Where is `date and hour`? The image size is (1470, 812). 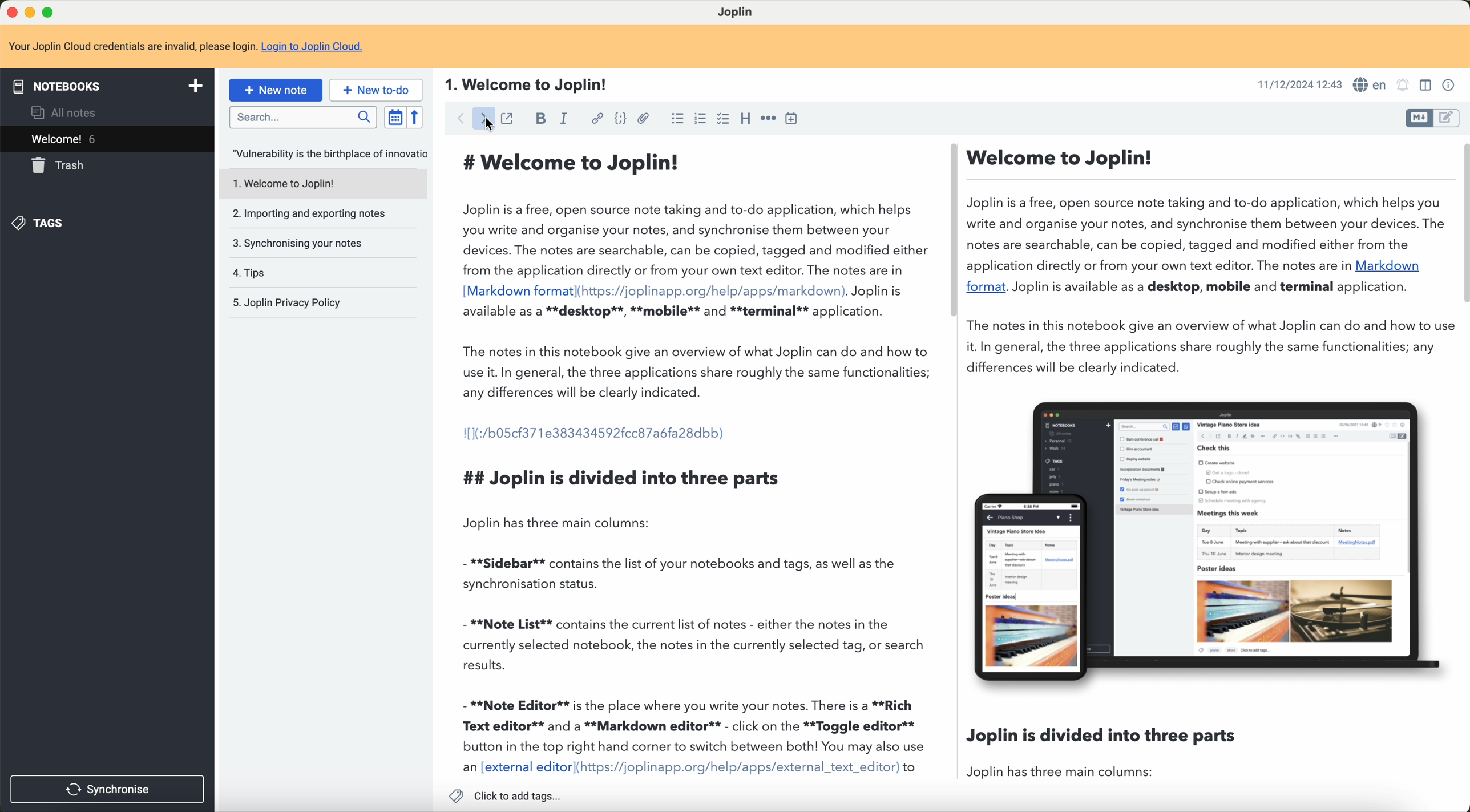
date and hour is located at coordinates (1297, 84).